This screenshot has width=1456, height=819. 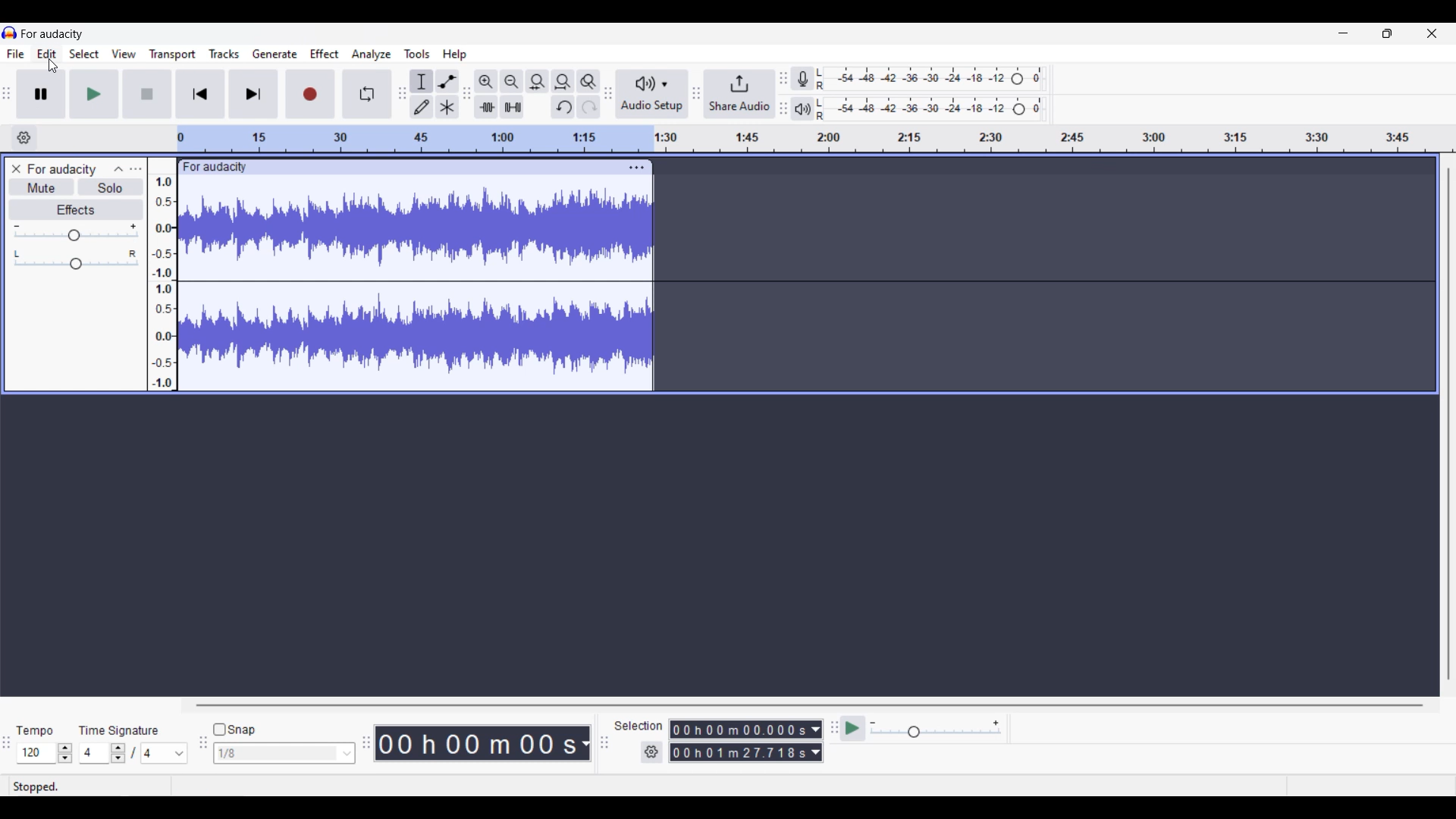 I want to click on Trim audio outside selection, so click(x=486, y=107).